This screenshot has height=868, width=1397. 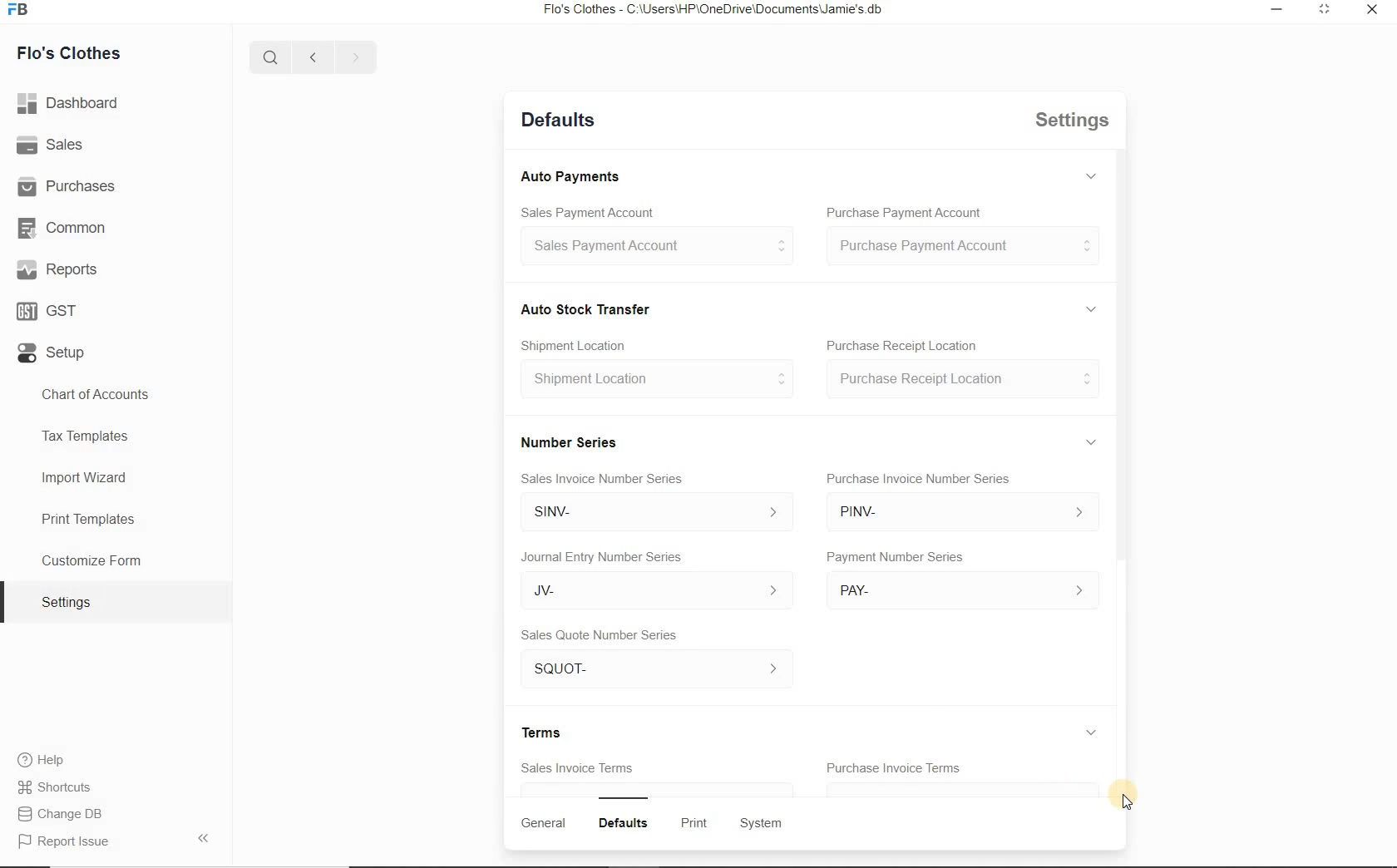 What do you see at coordinates (72, 105) in the screenshot?
I see `Dashboard` at bounding box center [72, 105].